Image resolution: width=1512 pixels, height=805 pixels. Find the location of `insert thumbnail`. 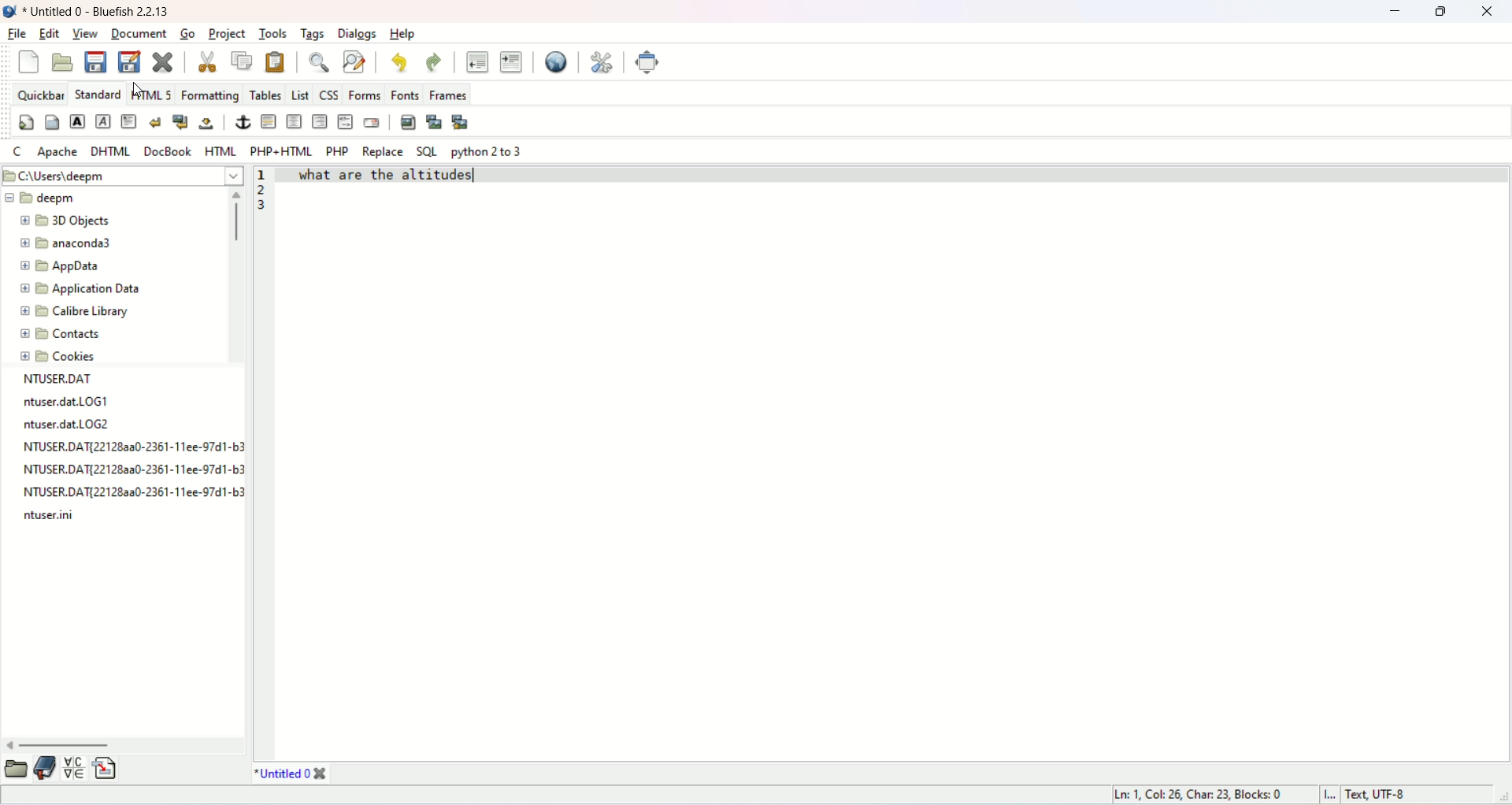

insert thumbnail is located at coordinates (435, 122).